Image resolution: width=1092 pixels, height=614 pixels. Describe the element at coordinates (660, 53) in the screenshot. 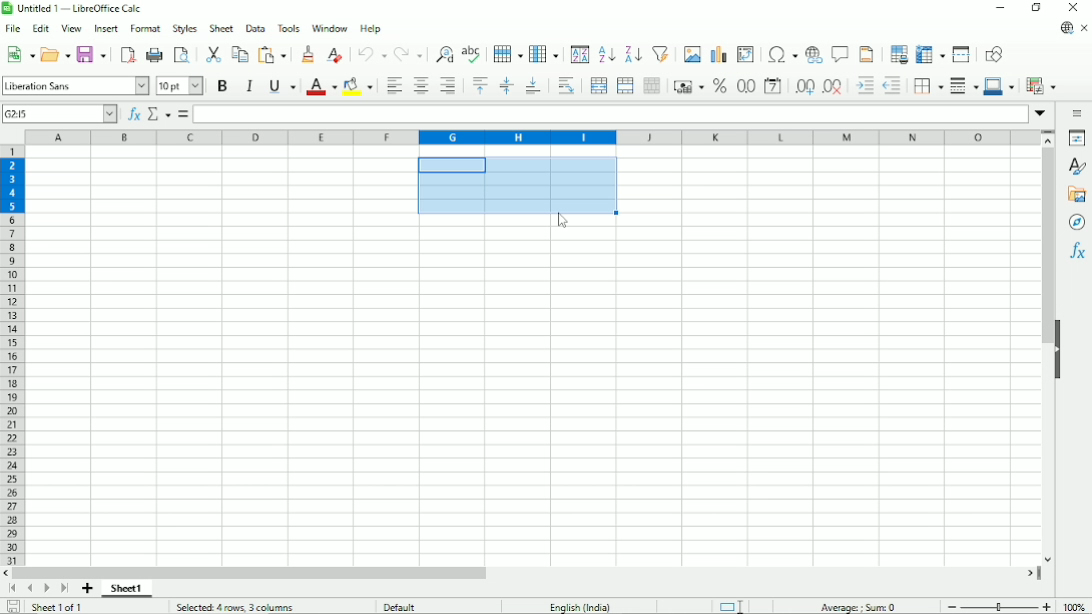

I see `Autofilter` at that location.